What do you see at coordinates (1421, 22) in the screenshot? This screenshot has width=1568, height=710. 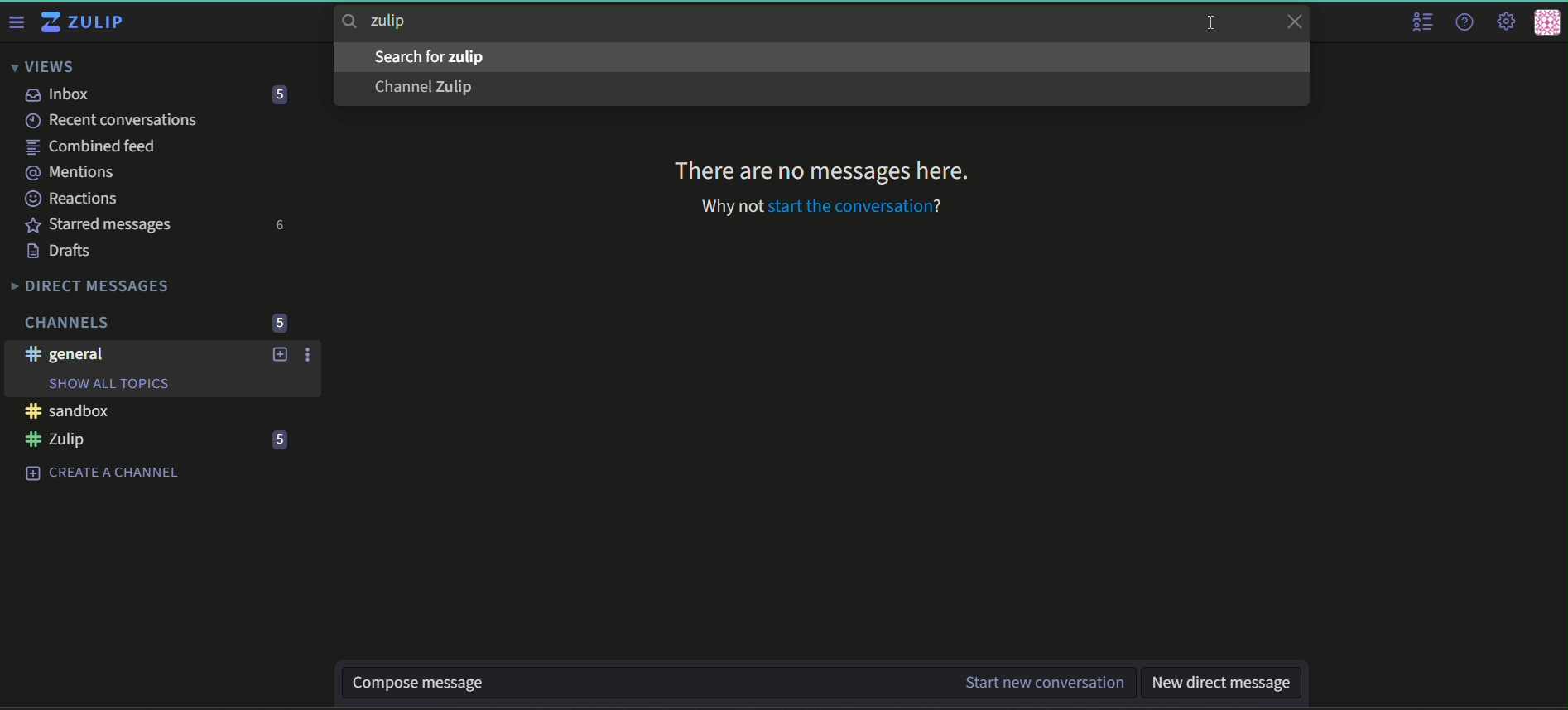 I see `user list` at bounding box center [1421, 22].